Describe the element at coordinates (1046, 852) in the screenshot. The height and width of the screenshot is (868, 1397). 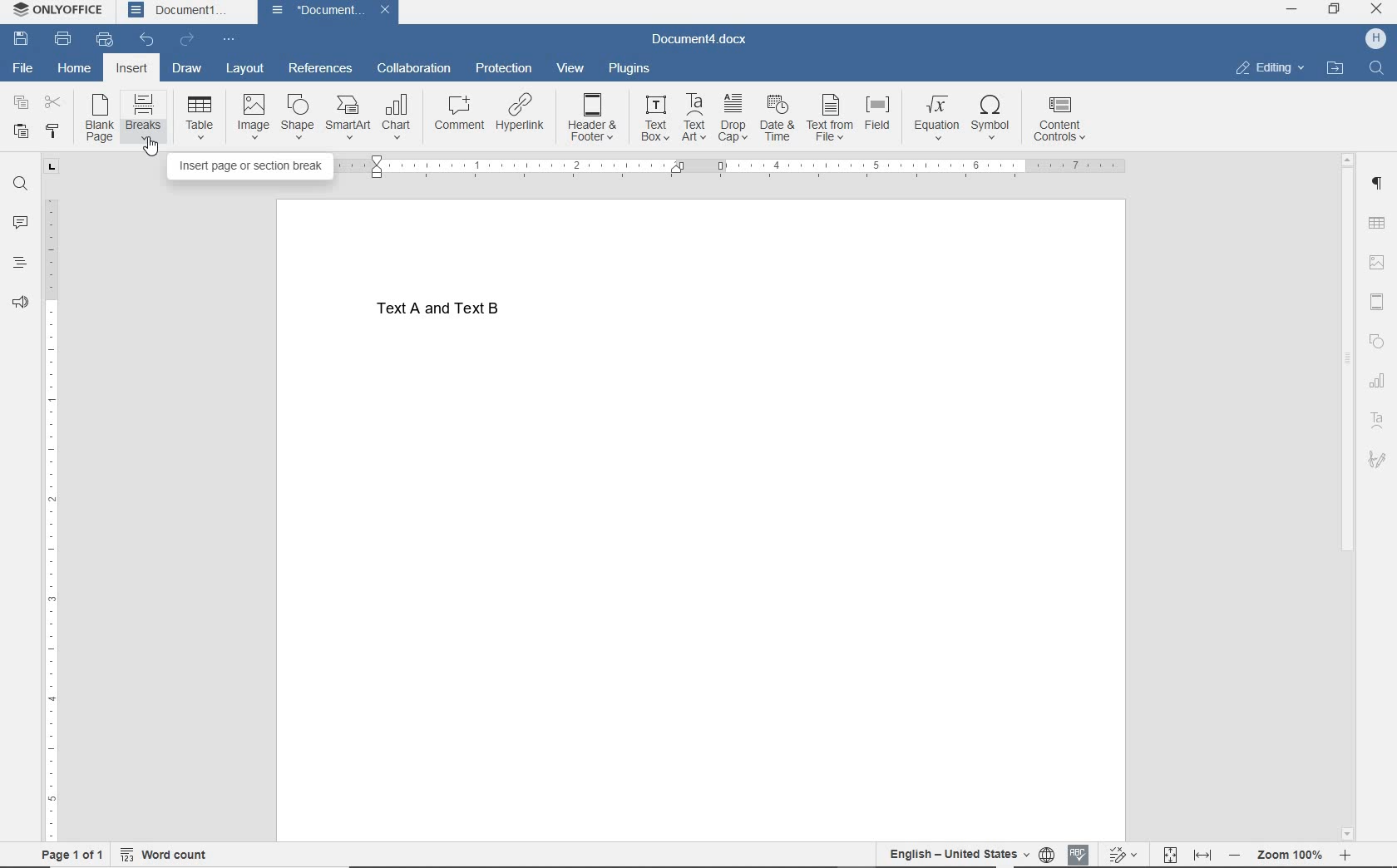
I see `SET DOCUMENT LANGUAGE` at that location.